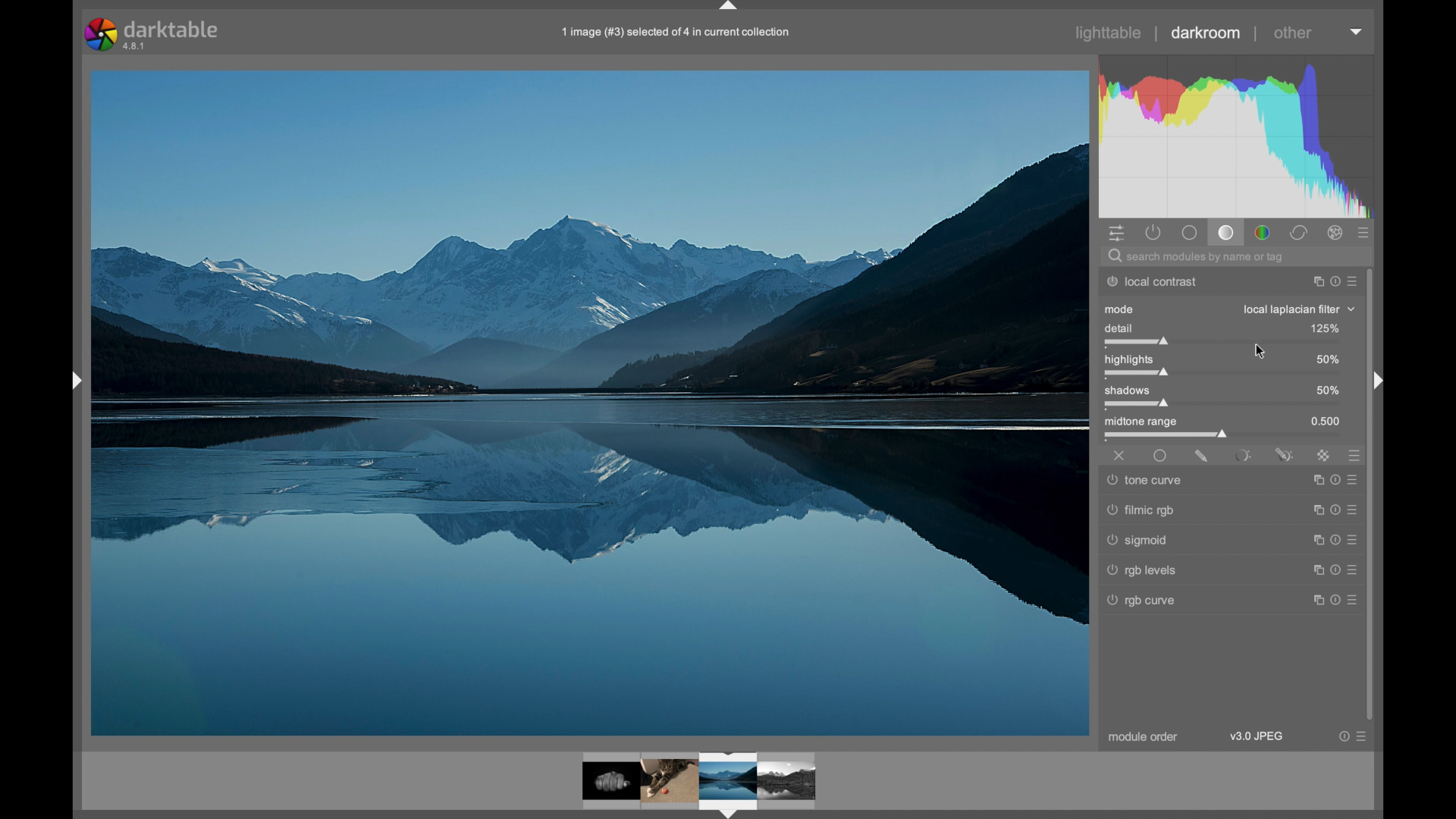  I want to click on color, so click(1262, 233).